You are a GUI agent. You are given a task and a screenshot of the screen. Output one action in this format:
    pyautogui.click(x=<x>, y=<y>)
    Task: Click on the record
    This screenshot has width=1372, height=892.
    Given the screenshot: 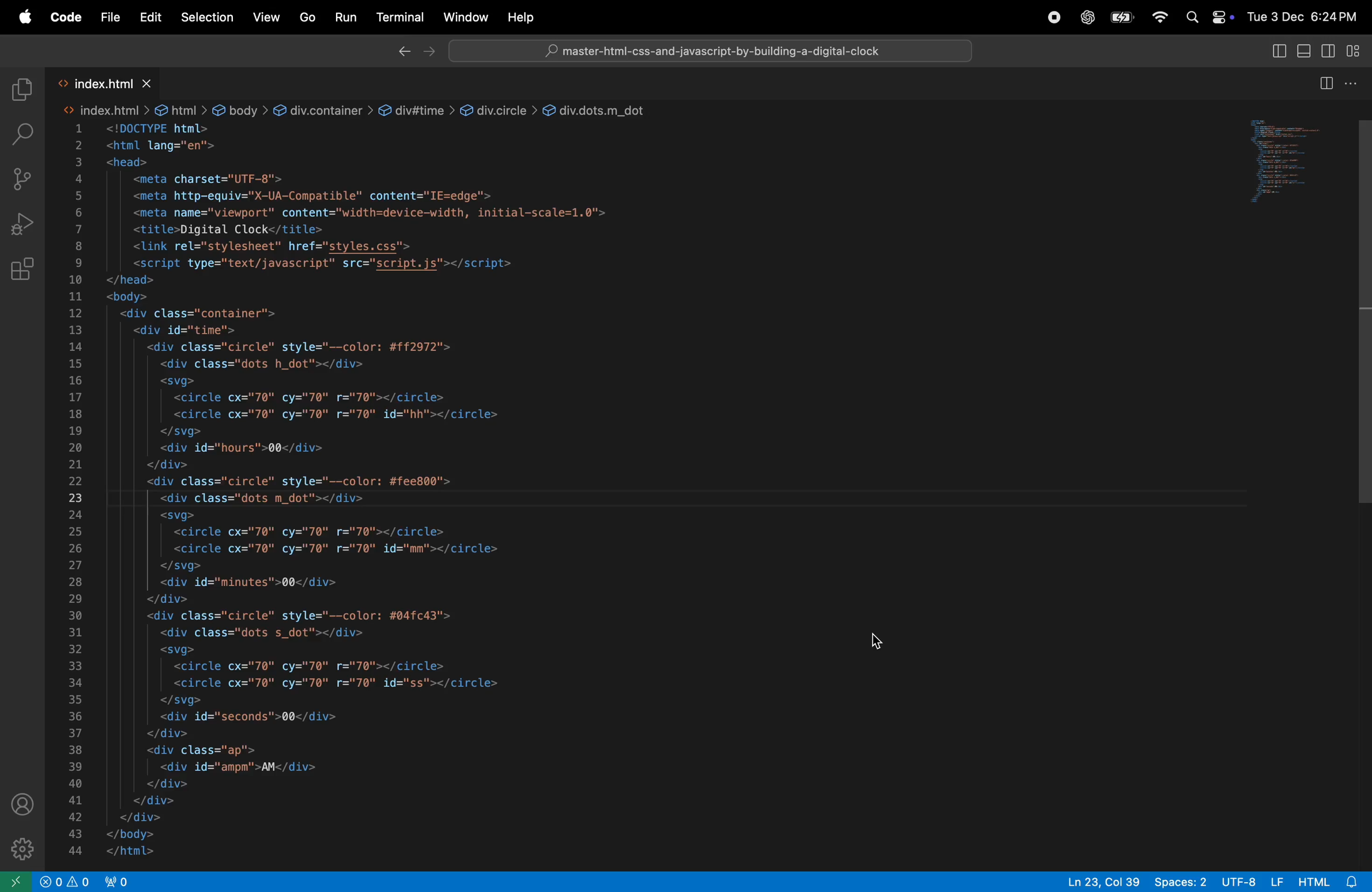 What is the action you would take?
    pyautogui.click(x=1053, y=18)
    